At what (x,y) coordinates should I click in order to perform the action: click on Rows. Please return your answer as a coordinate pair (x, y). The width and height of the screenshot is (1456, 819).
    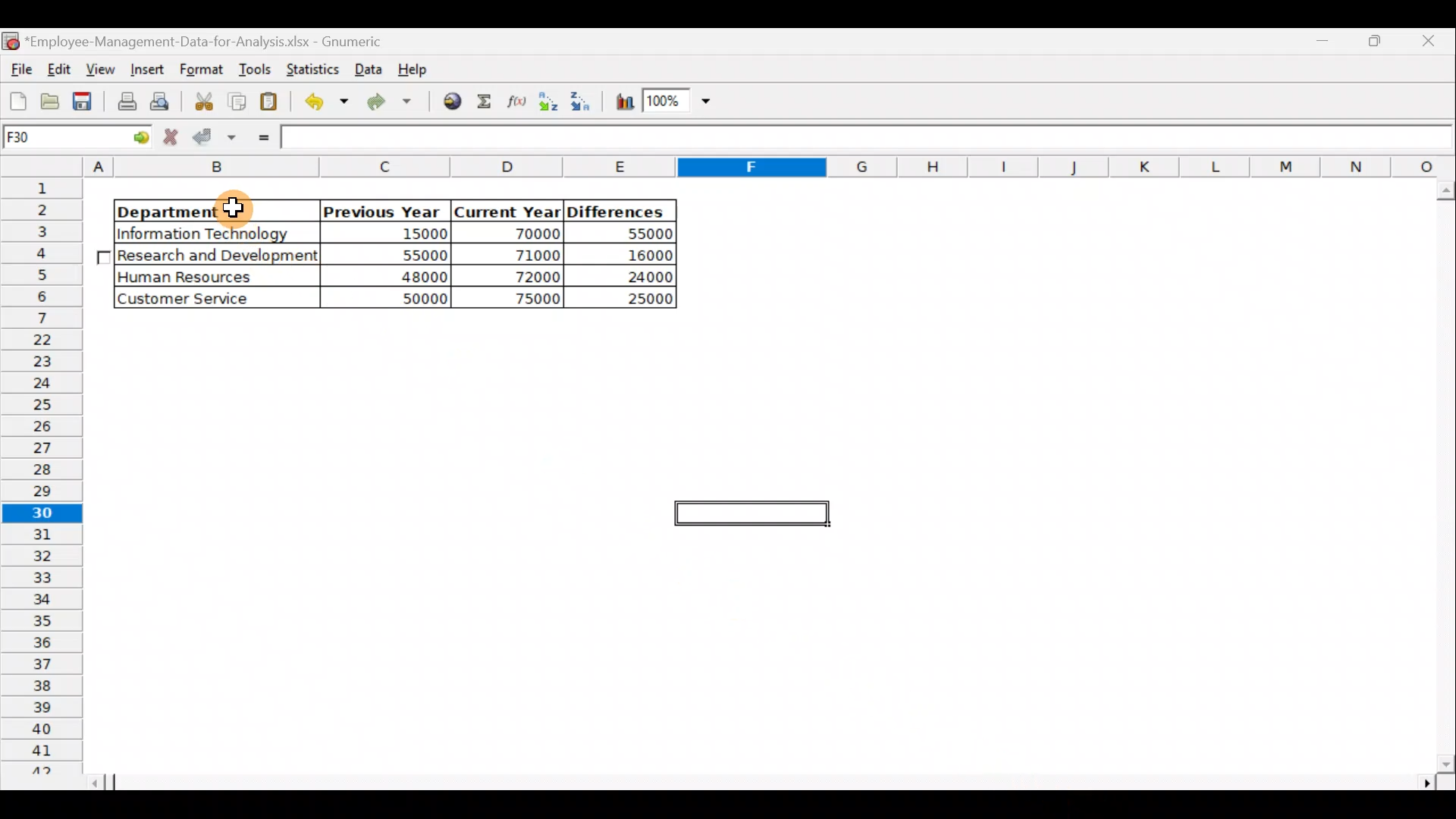
    Looking at the image, I should click on (45, 475).